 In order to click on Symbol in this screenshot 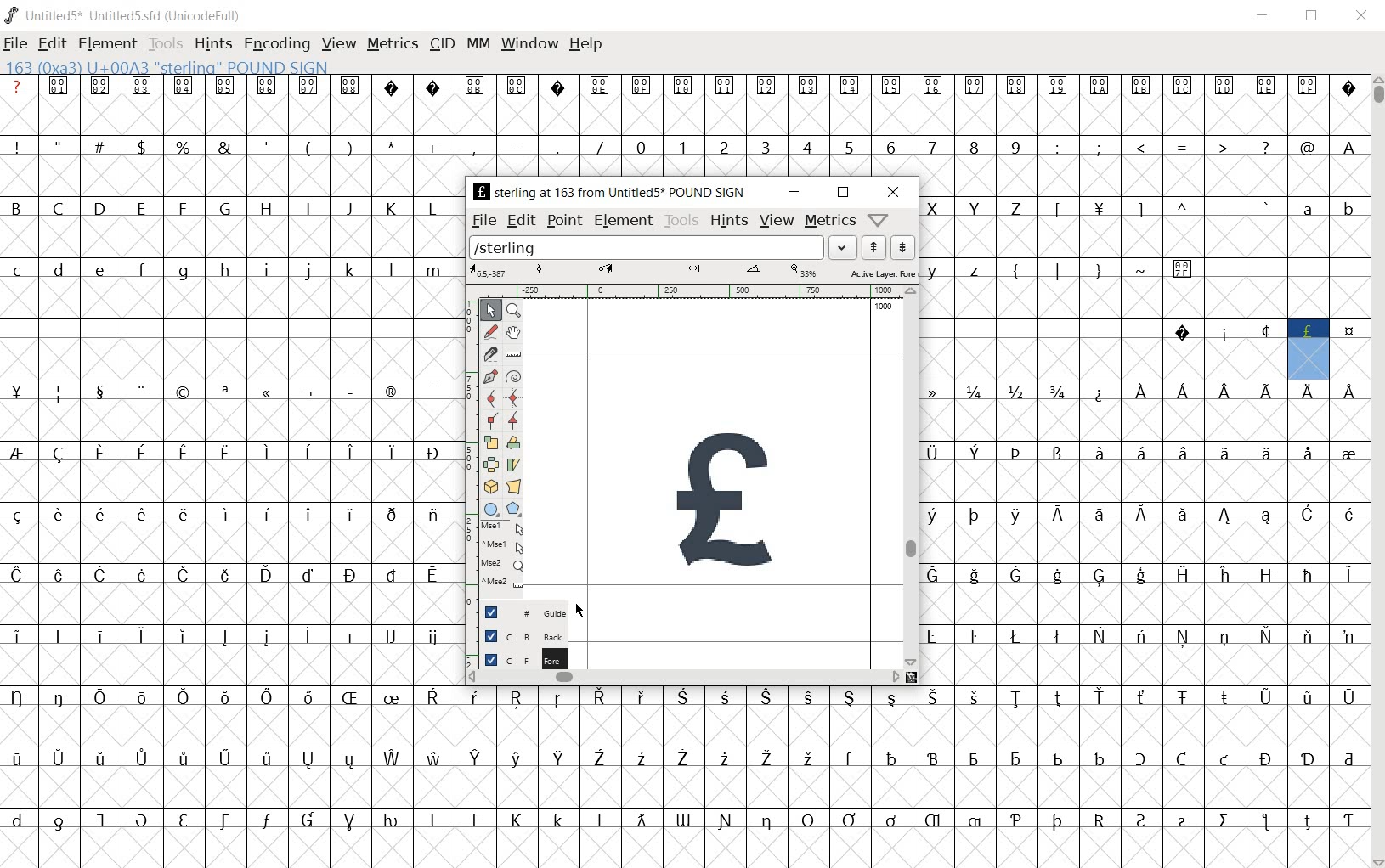, I will do `click(1347, 635)`.